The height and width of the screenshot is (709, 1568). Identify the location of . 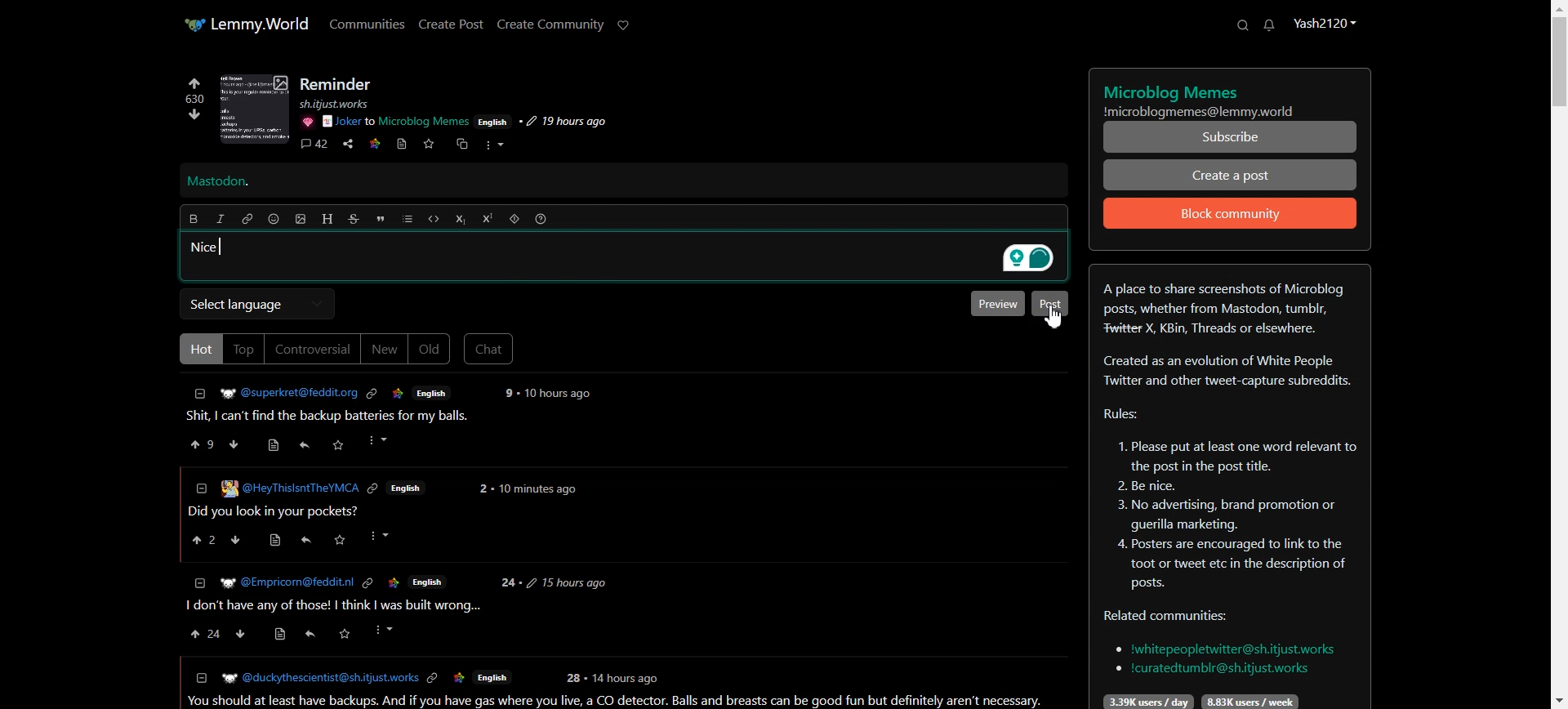
(238, 541).